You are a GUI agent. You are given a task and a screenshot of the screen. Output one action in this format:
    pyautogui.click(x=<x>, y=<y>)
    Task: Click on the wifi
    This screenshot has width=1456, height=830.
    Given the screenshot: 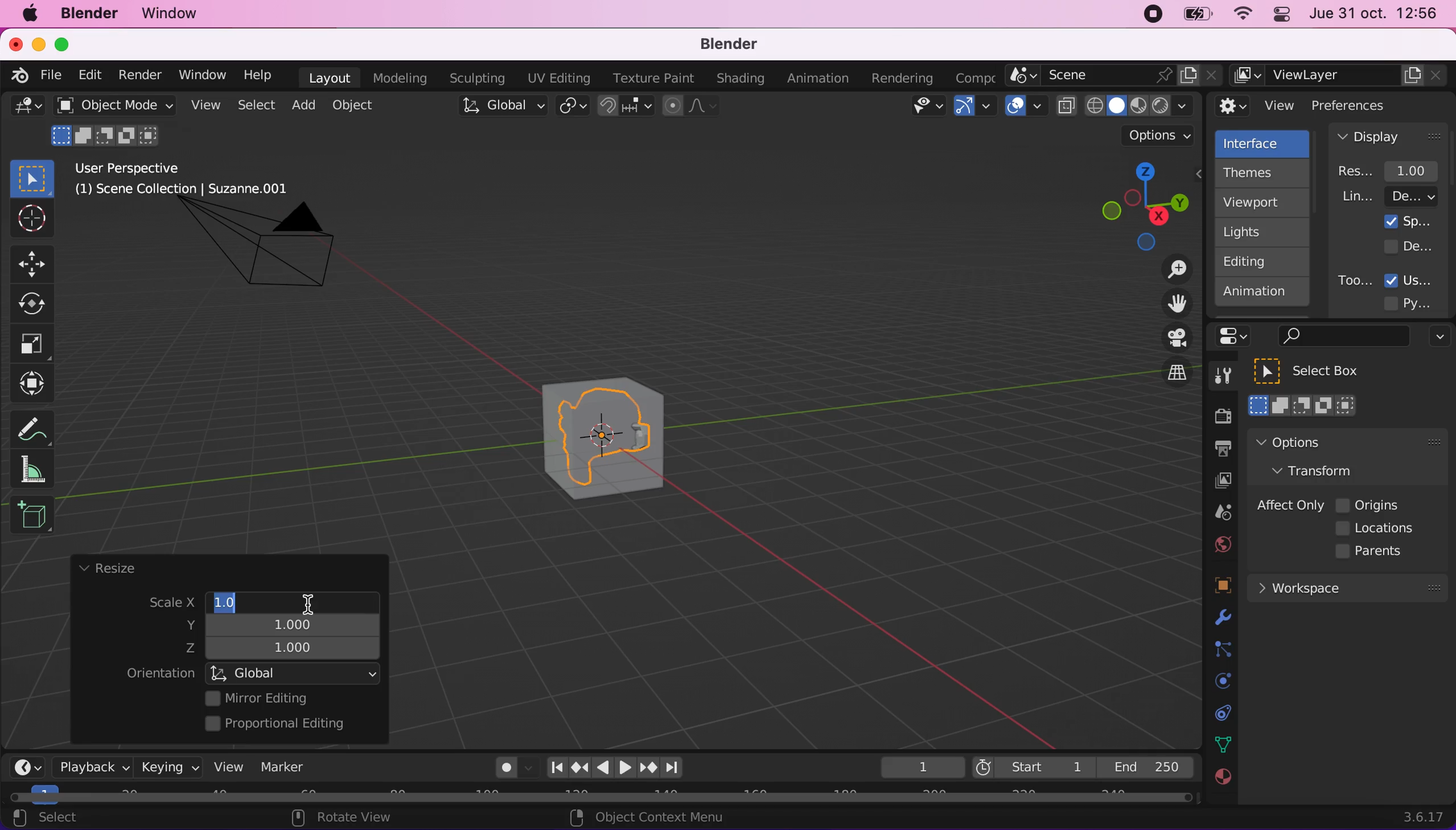 What is the action you would take?
    pyautogui.click(x=1239, y=17)
    